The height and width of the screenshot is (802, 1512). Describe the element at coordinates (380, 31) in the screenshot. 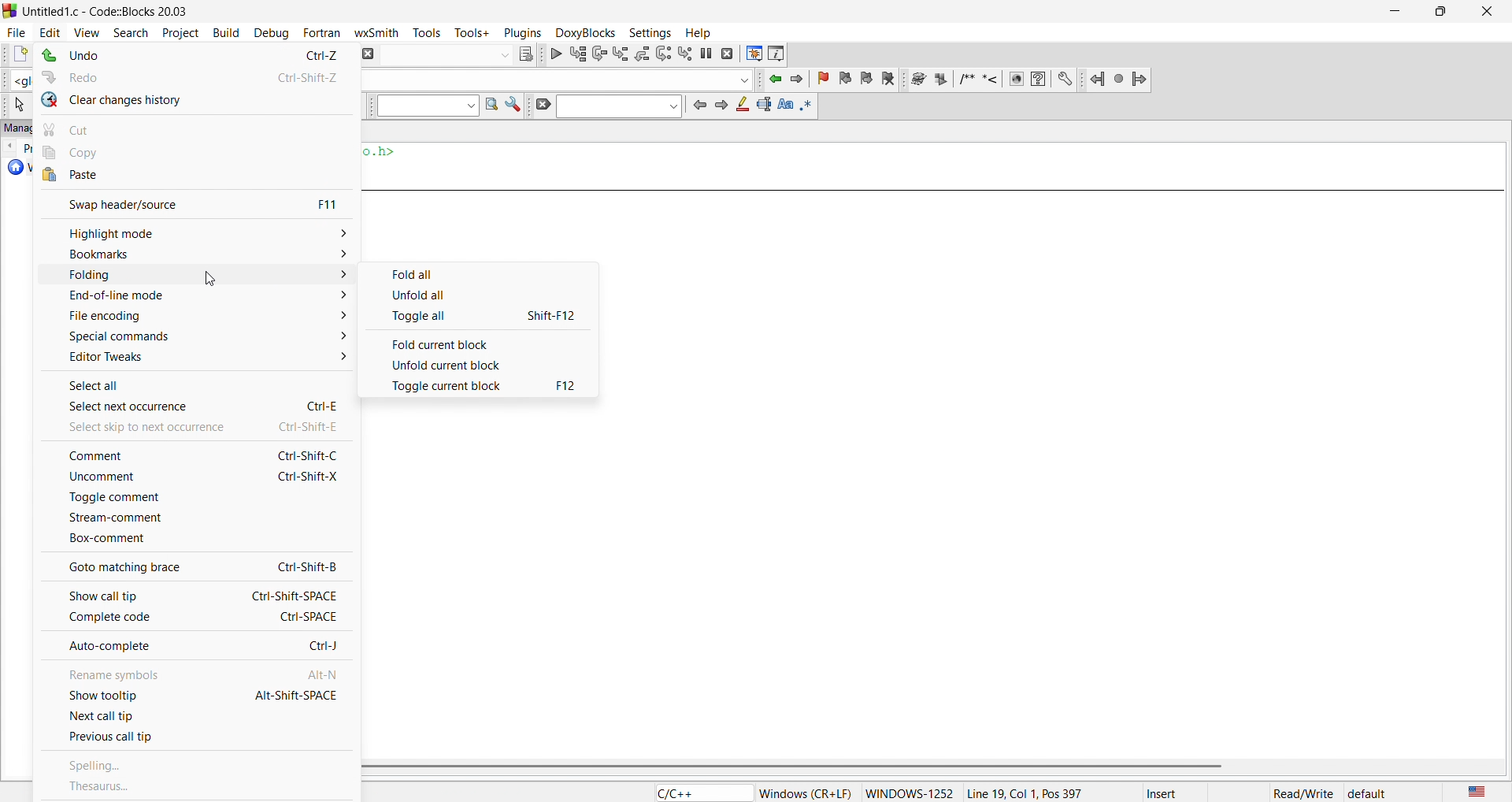

I see `wxsmith` at that location.